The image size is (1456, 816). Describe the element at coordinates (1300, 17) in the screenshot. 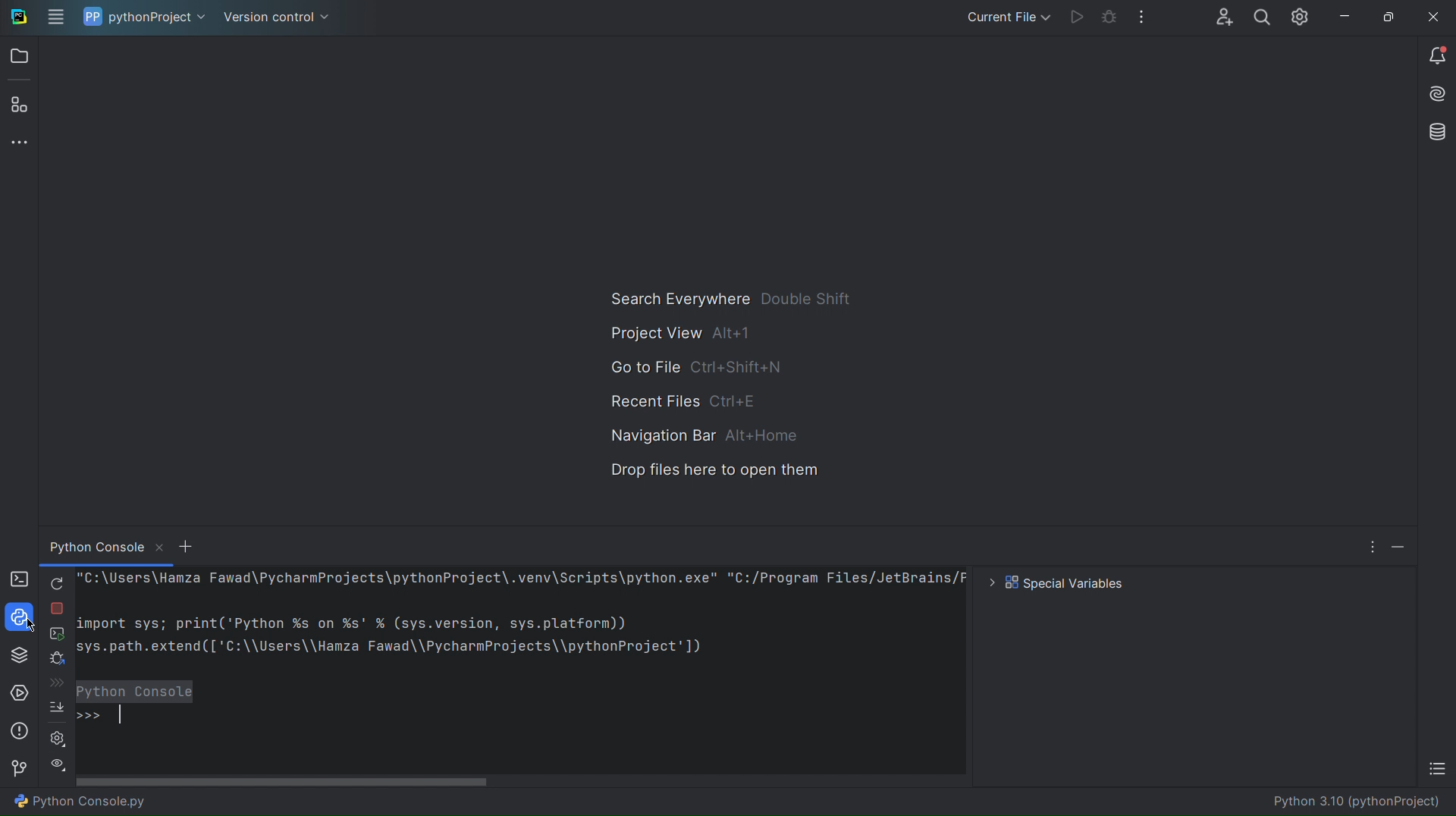

I see `Settings` at that location.